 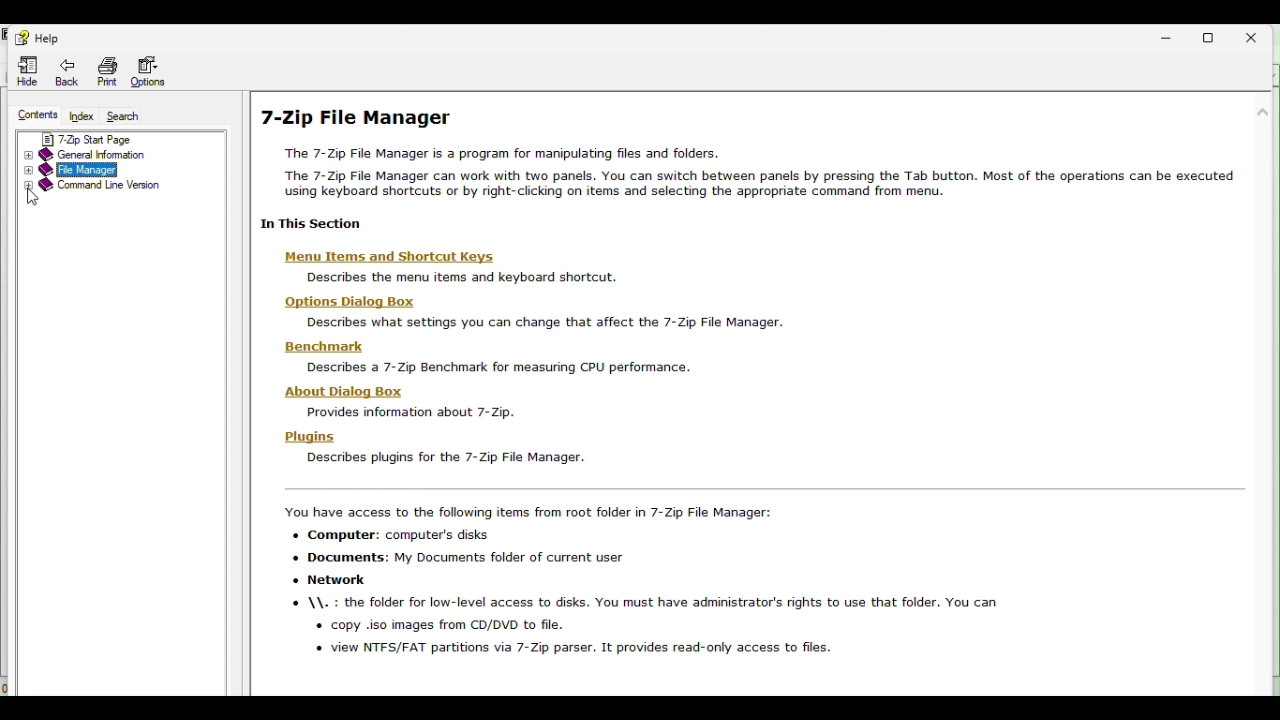 What do you see at coordinates (38, 38) in the screenshot?
I see `help` at bounding box center [38, 38].